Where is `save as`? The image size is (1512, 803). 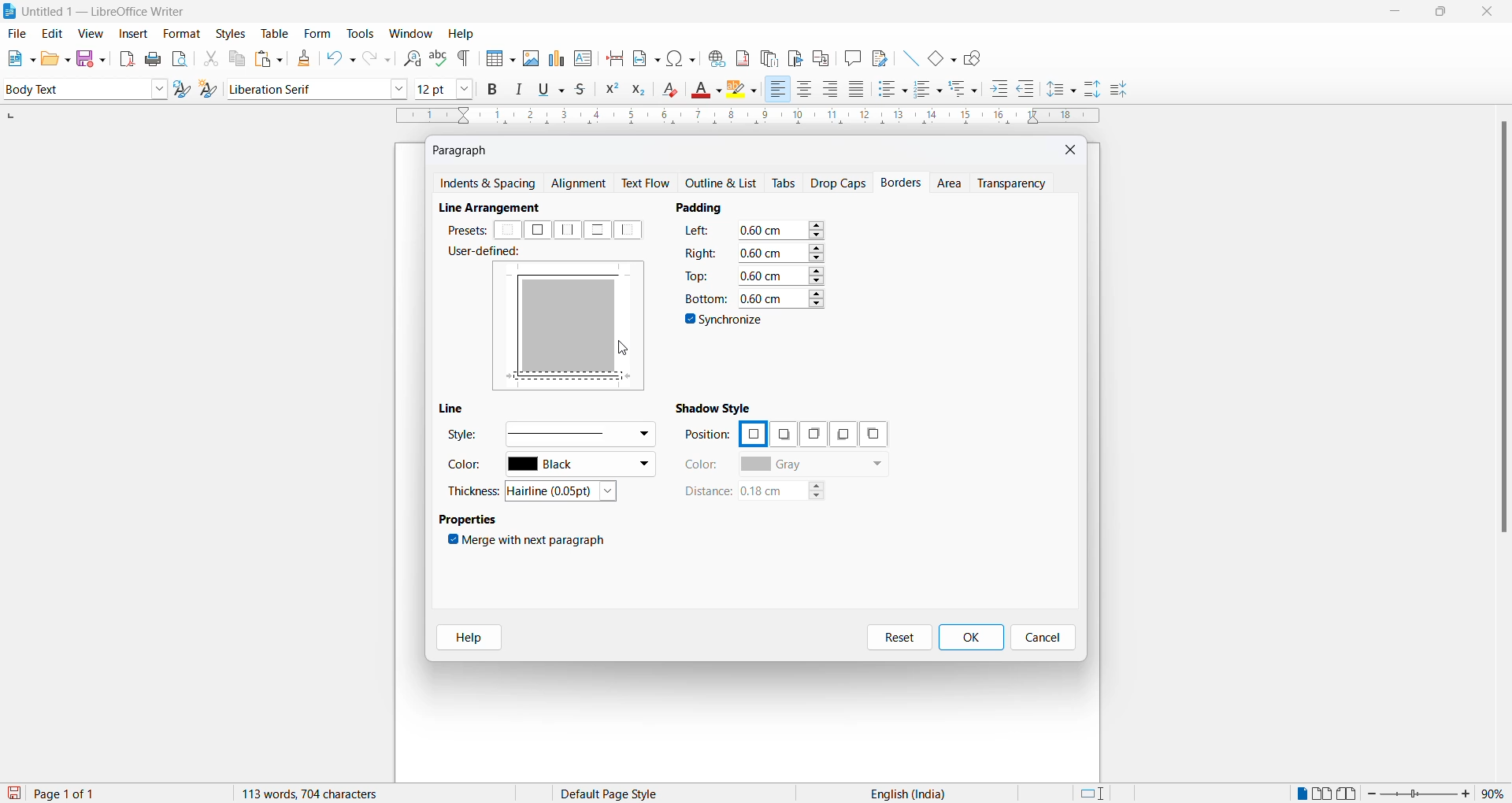 save as is located at coordinates (94, 55).